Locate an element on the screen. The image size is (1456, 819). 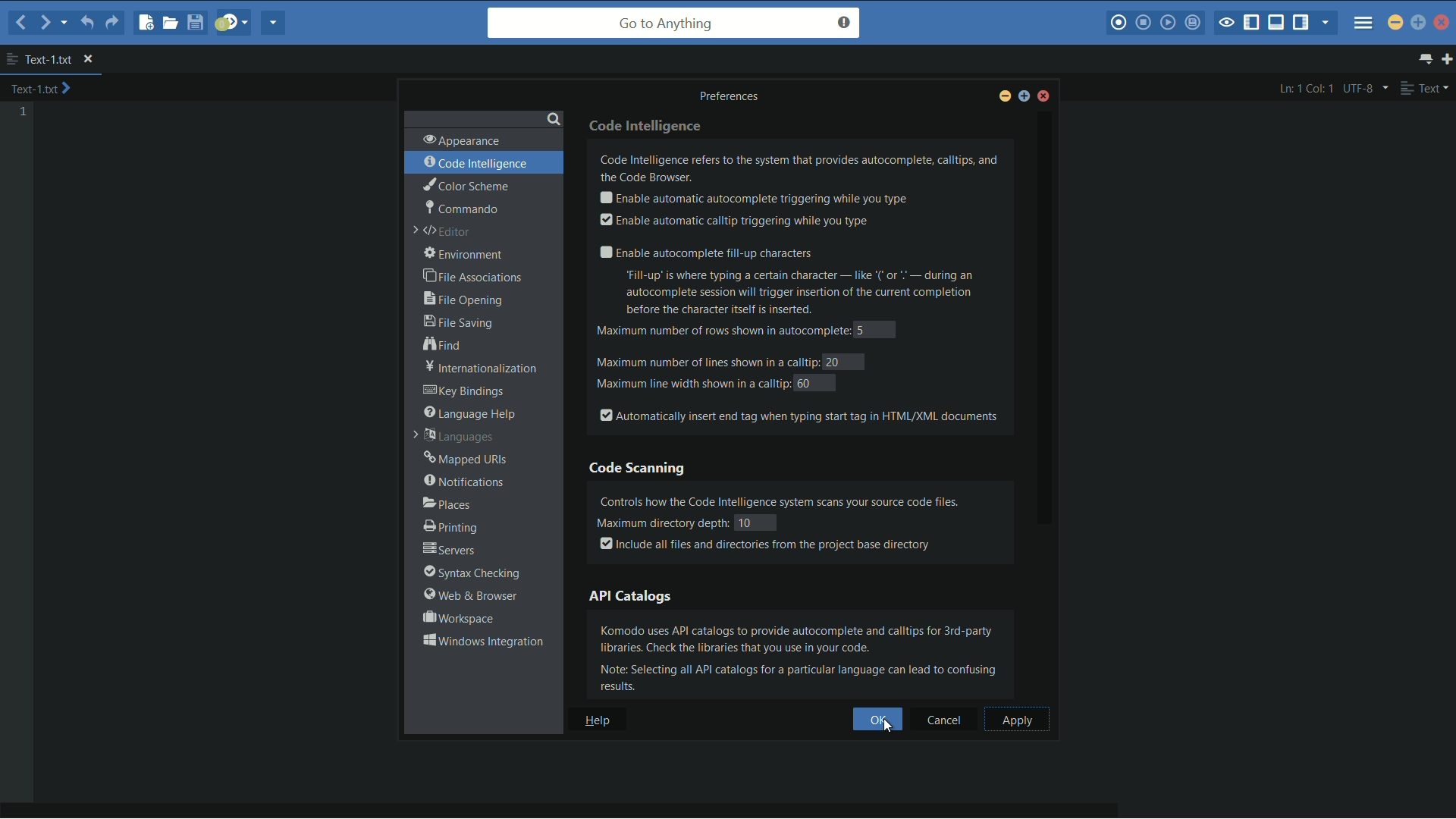
minimize is located at coordinates (1003, 98).